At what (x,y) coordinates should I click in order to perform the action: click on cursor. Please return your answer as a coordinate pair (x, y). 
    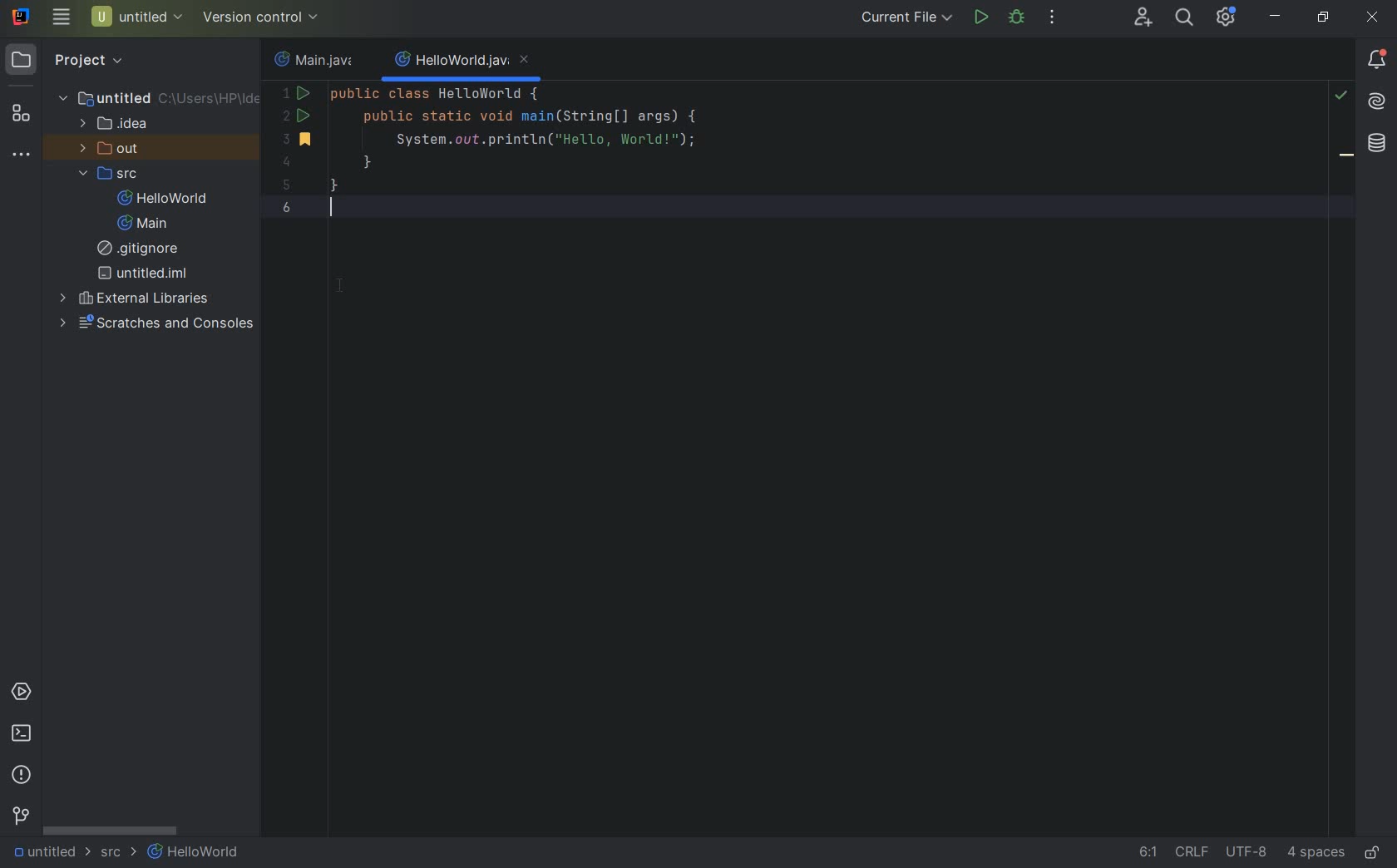
    Looking at the image, I should click on (351, 289).